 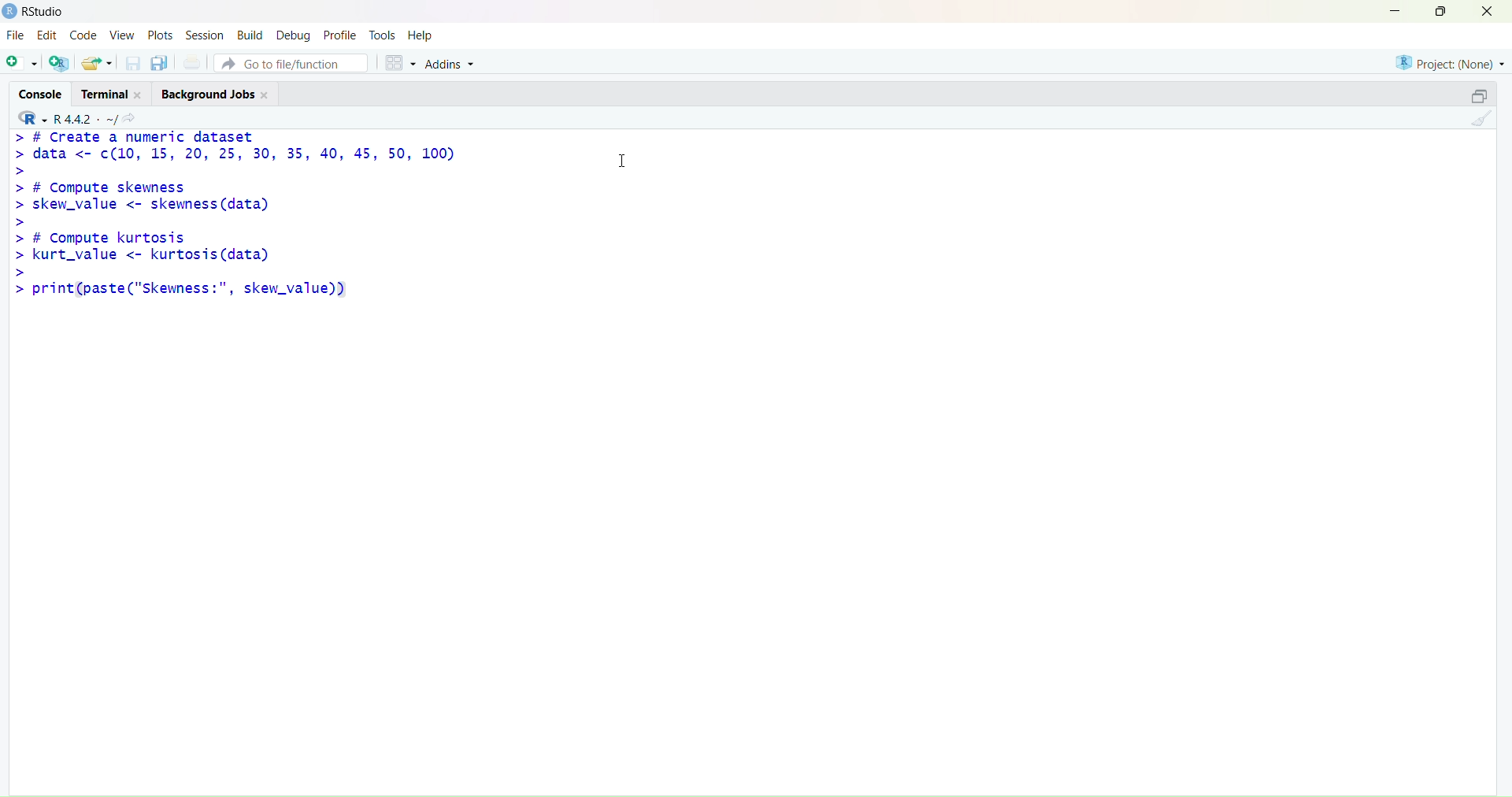 I want to click on R.4.4.2~/, so click(x=83, y=118).